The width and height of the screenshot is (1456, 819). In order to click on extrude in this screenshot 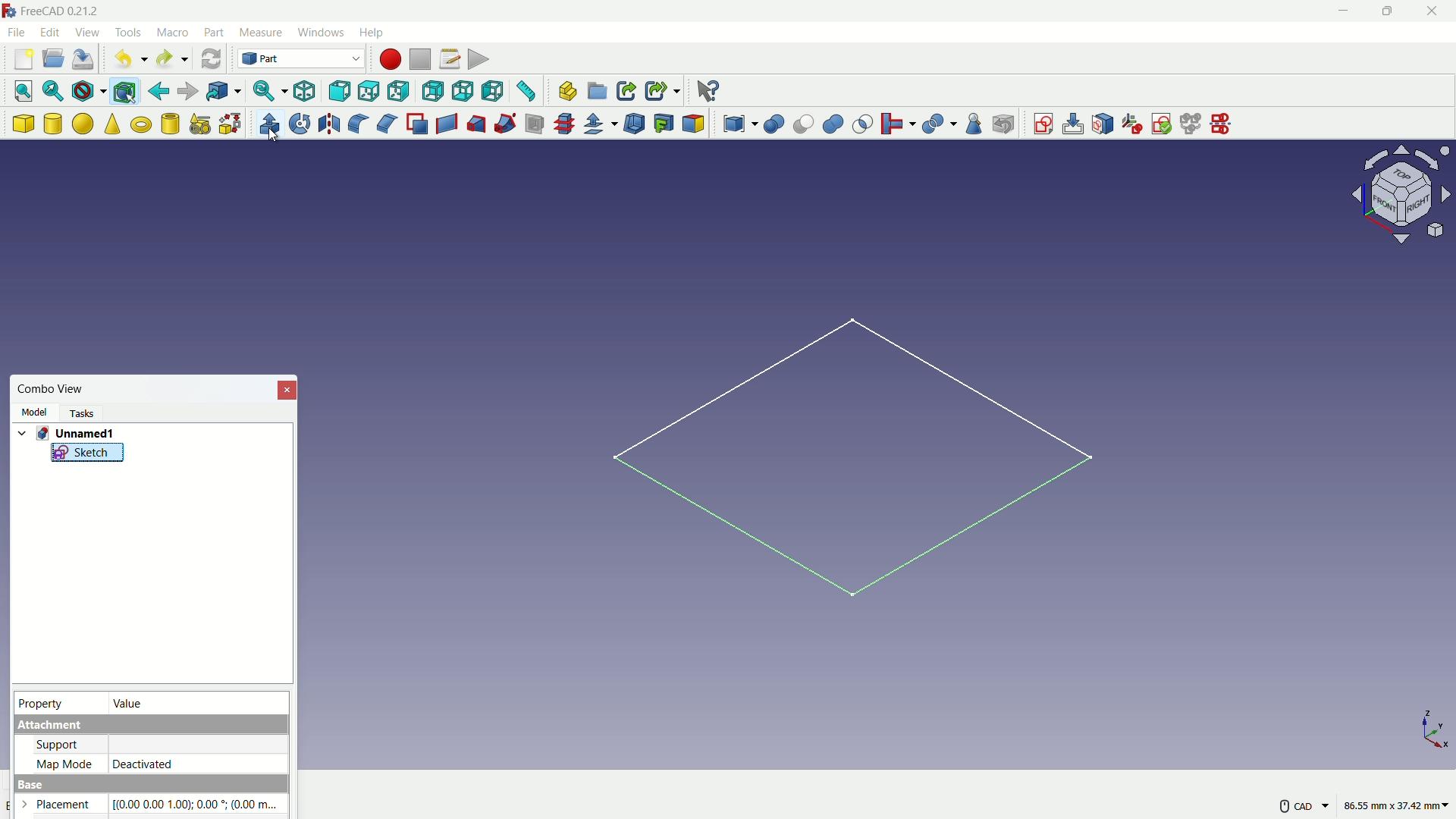, I will do `click(270, 123)`.